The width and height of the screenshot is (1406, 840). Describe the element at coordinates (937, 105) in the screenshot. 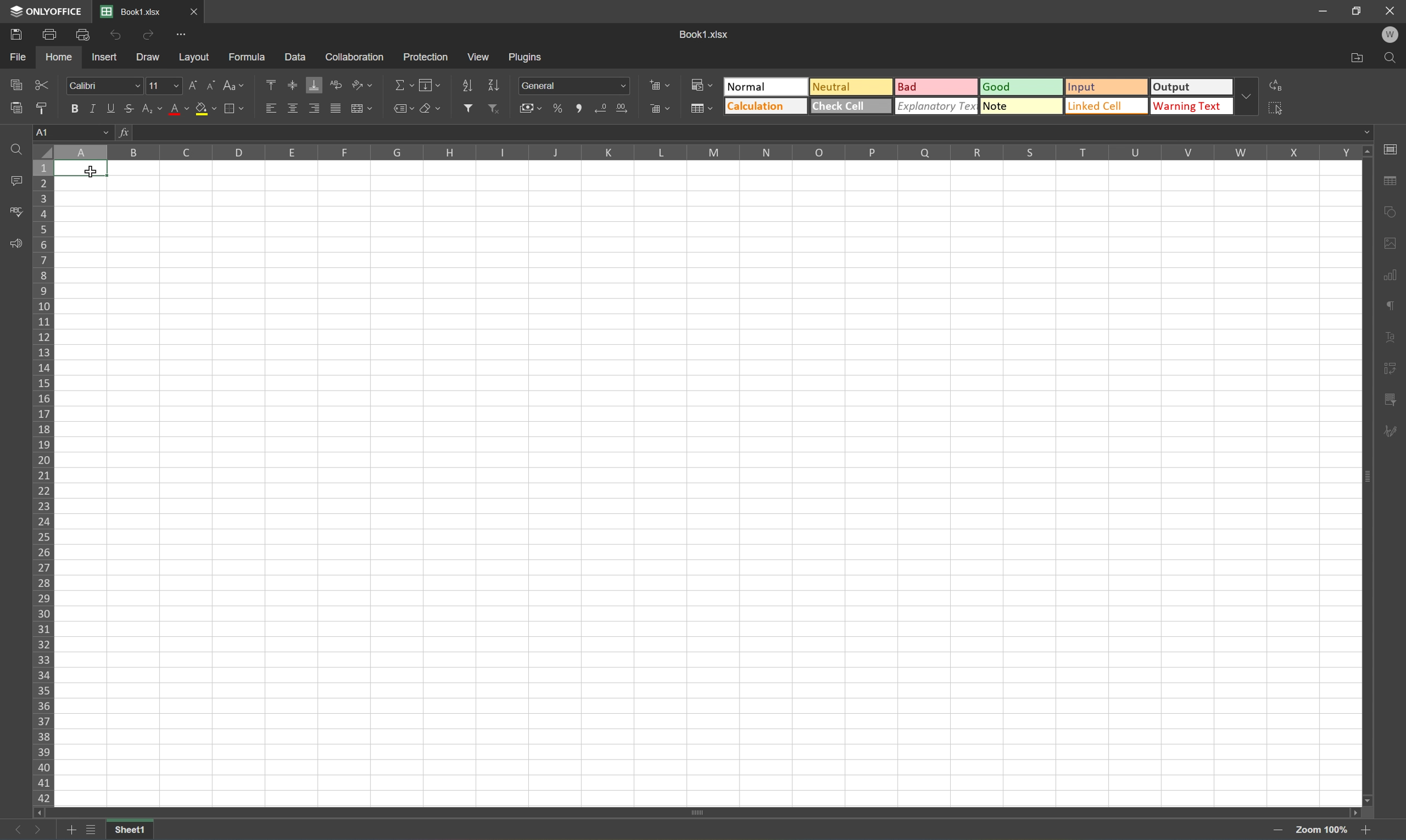

I see `Explanatory text` at that location.